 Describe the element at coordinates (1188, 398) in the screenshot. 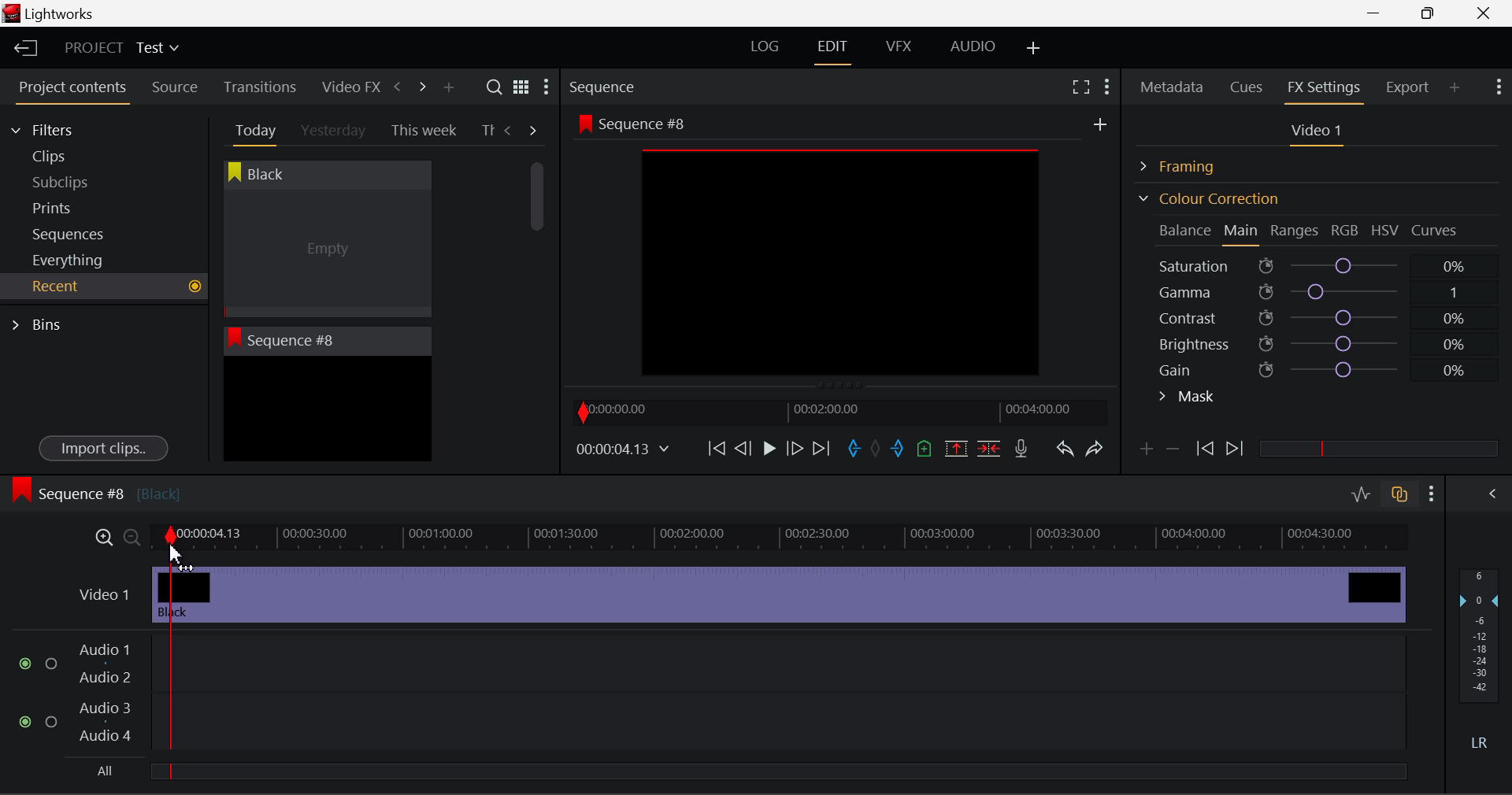

I see `Mask` at that location.